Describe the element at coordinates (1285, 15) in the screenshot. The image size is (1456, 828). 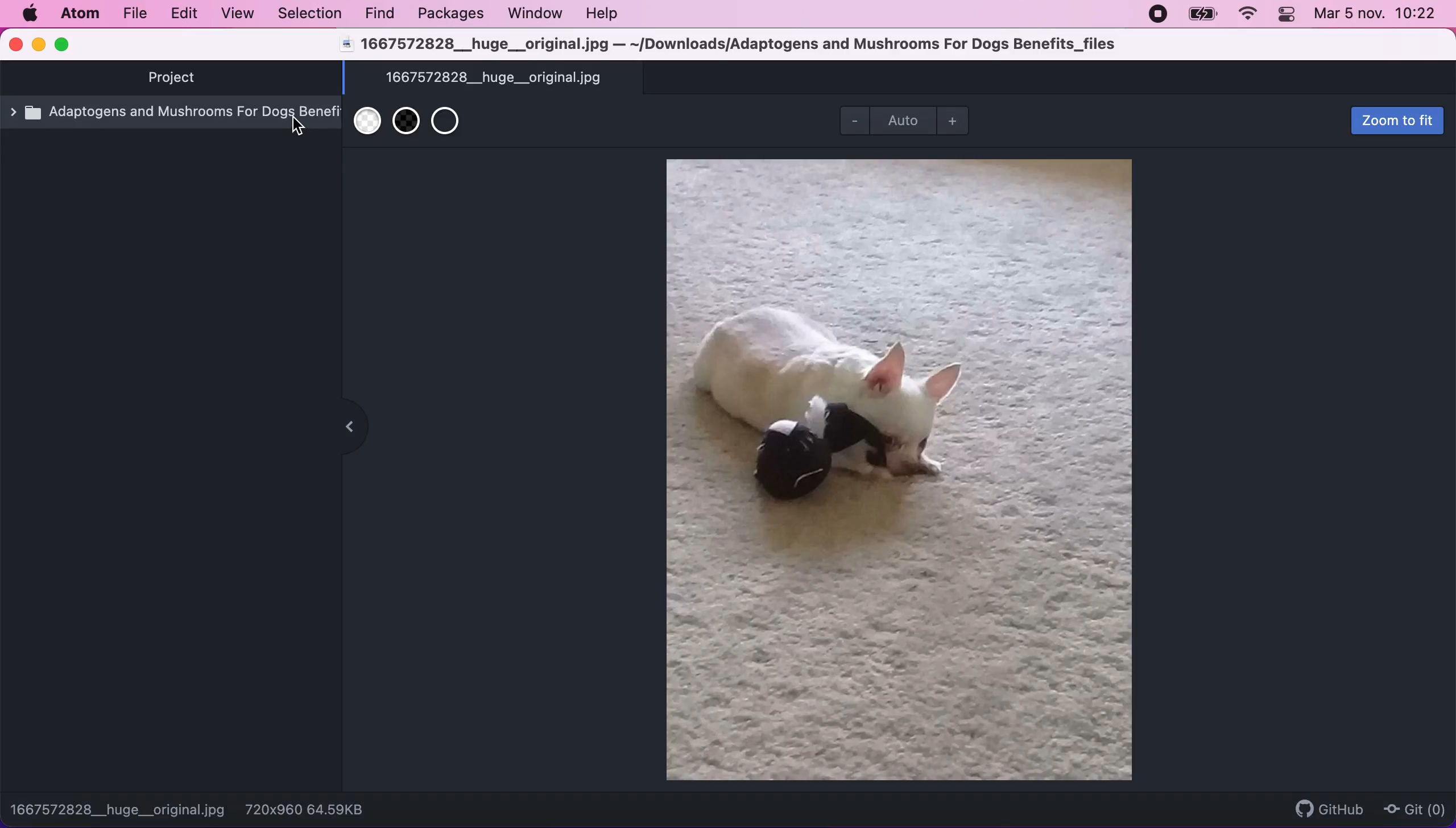
I see `panel control` at that location.